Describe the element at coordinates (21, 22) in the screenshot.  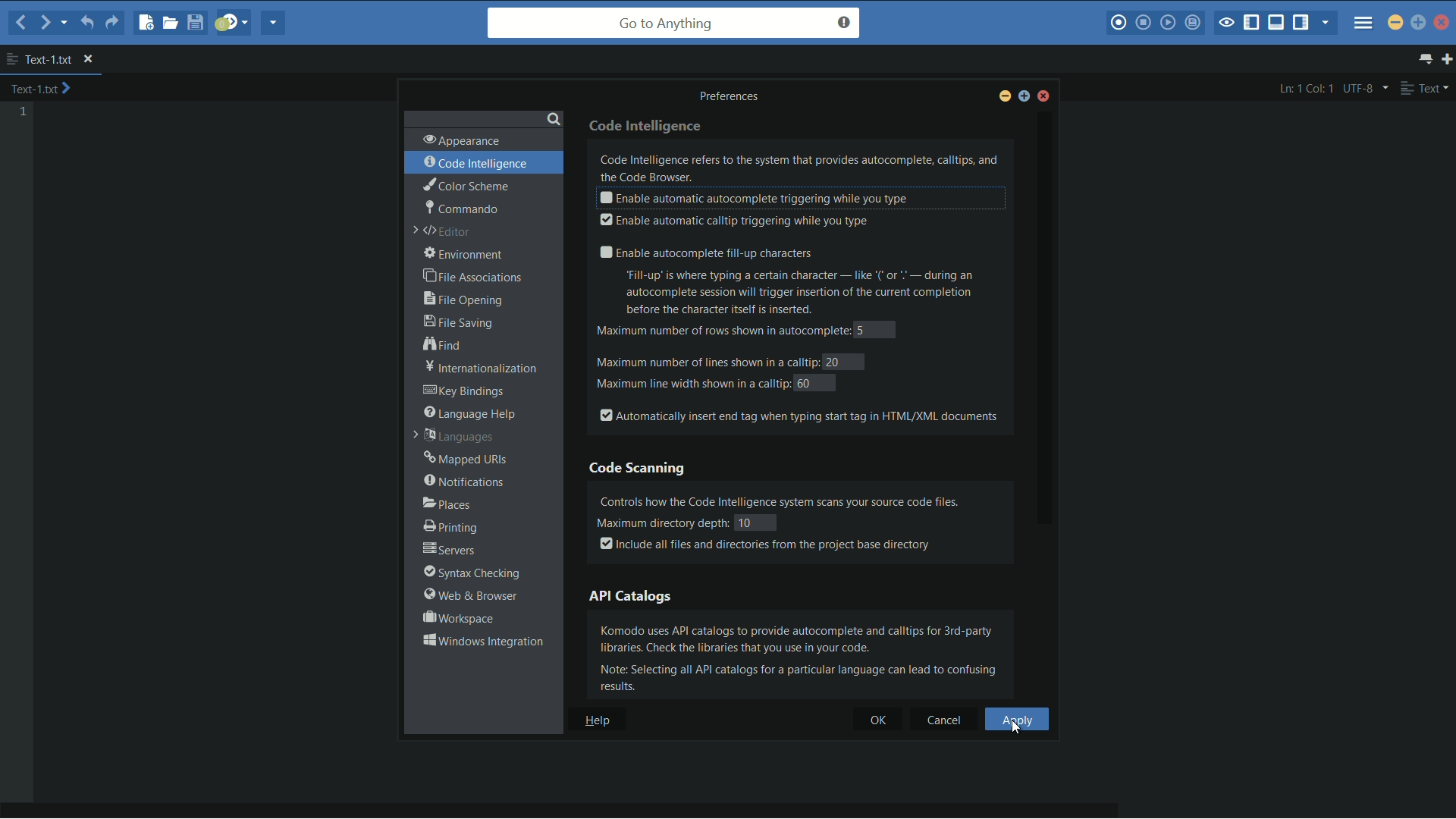
I see `back` at that location.